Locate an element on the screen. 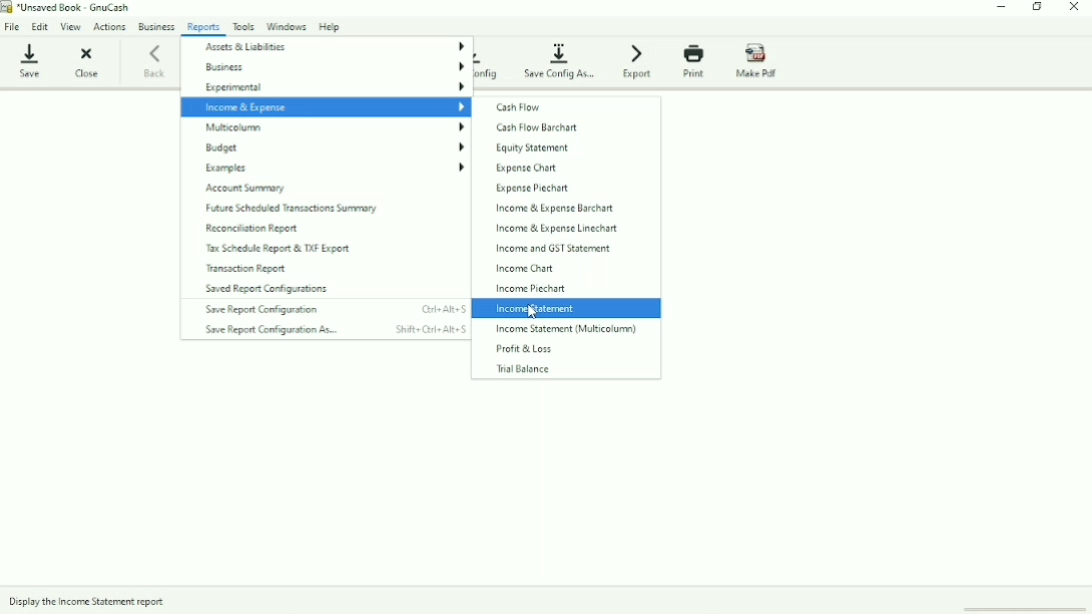  Saved Report Configurations is located at coordinates (264, 288).